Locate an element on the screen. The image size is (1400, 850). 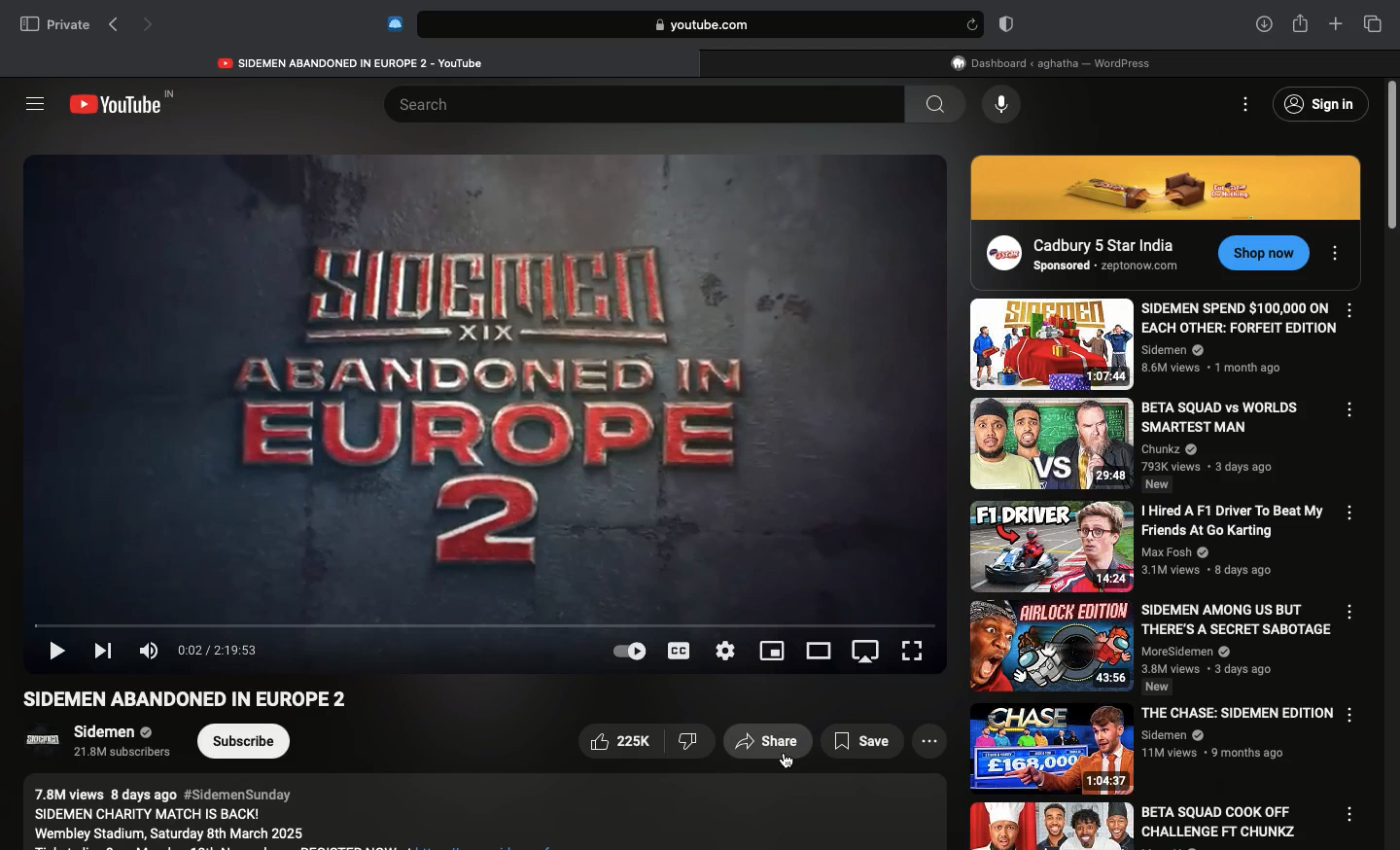
WordPress is located at coordinates (1049, 62).